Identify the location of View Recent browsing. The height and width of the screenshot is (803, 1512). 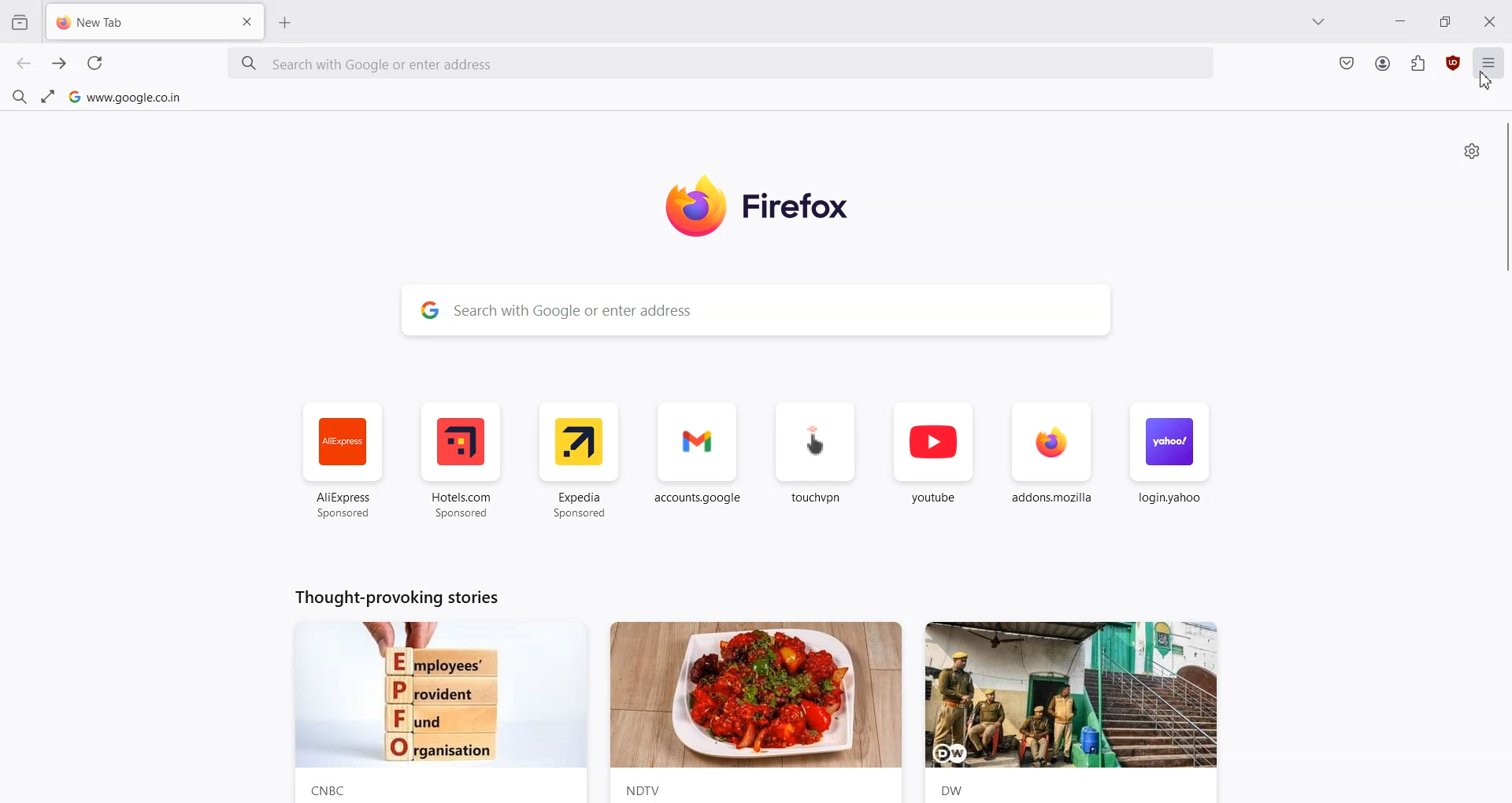
(20, 24).